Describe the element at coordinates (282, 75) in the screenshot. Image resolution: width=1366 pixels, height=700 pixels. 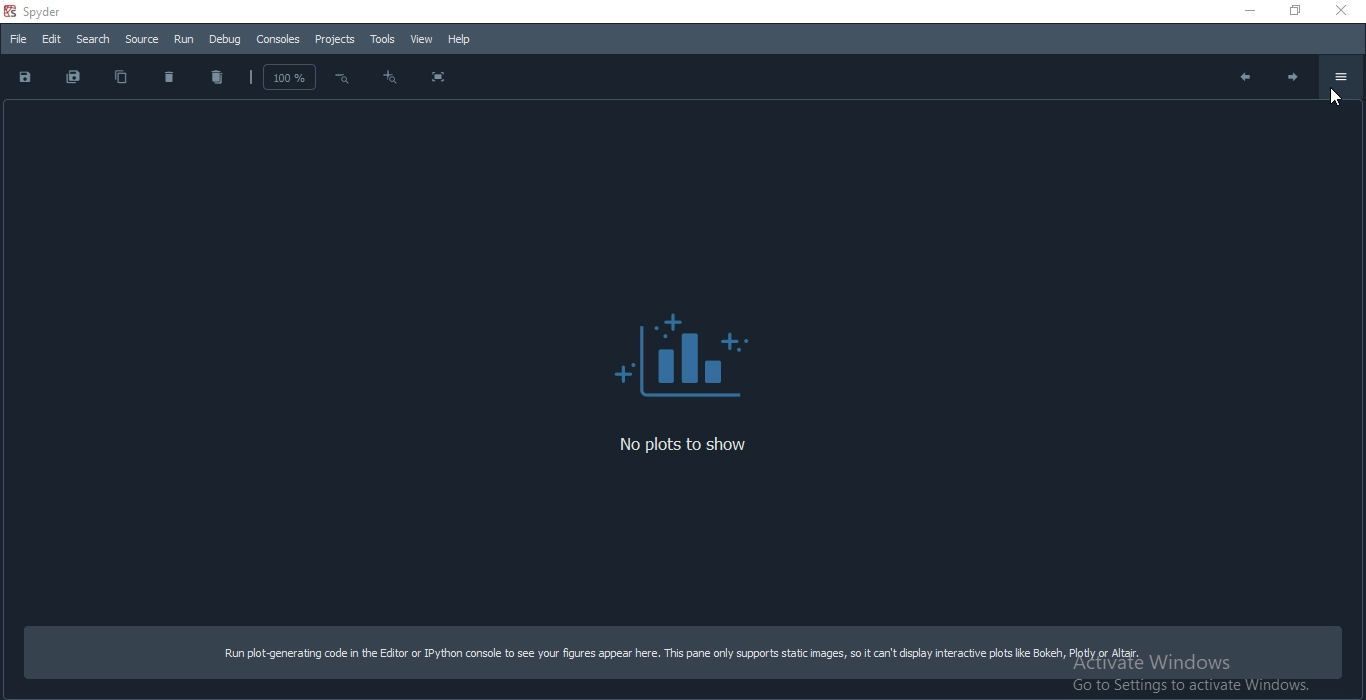
I see `Zoom percent` at that location.